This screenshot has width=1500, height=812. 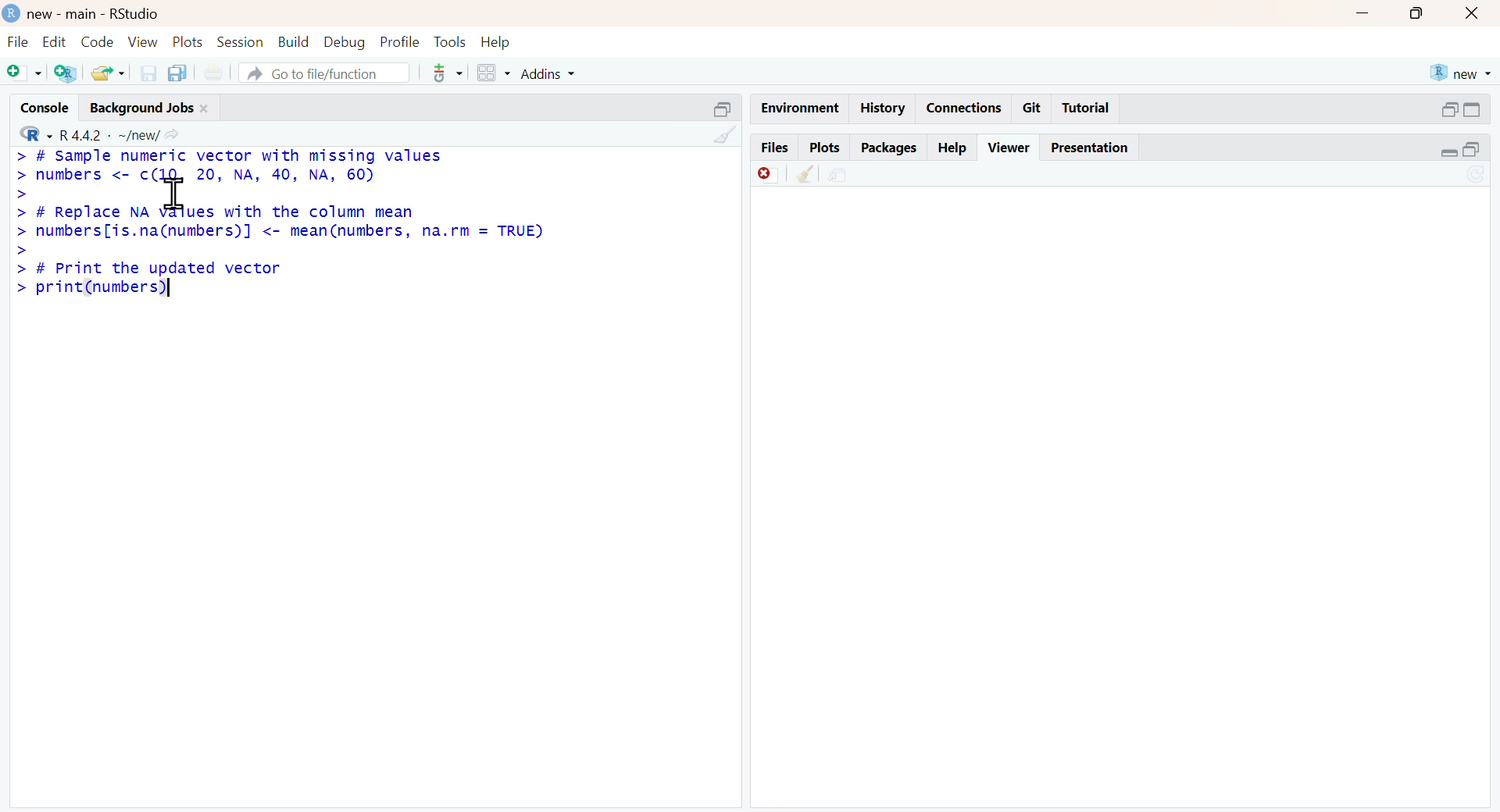 What do you see at coordinates (1448, 152) in the screenshot?
I see `expand/collapse` at bounding box center [1448, 152].